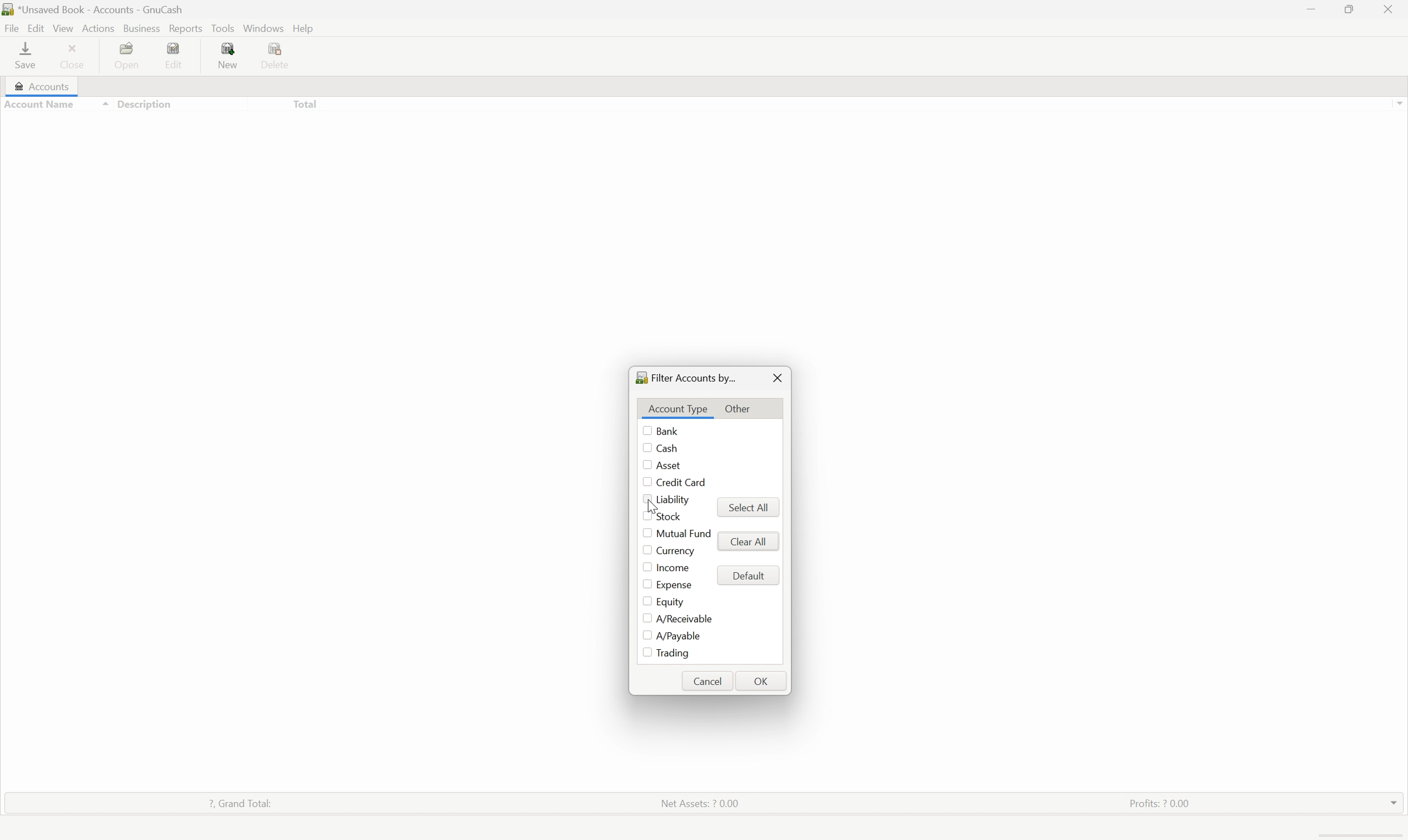  I want to click on Business, so click(141, 28).